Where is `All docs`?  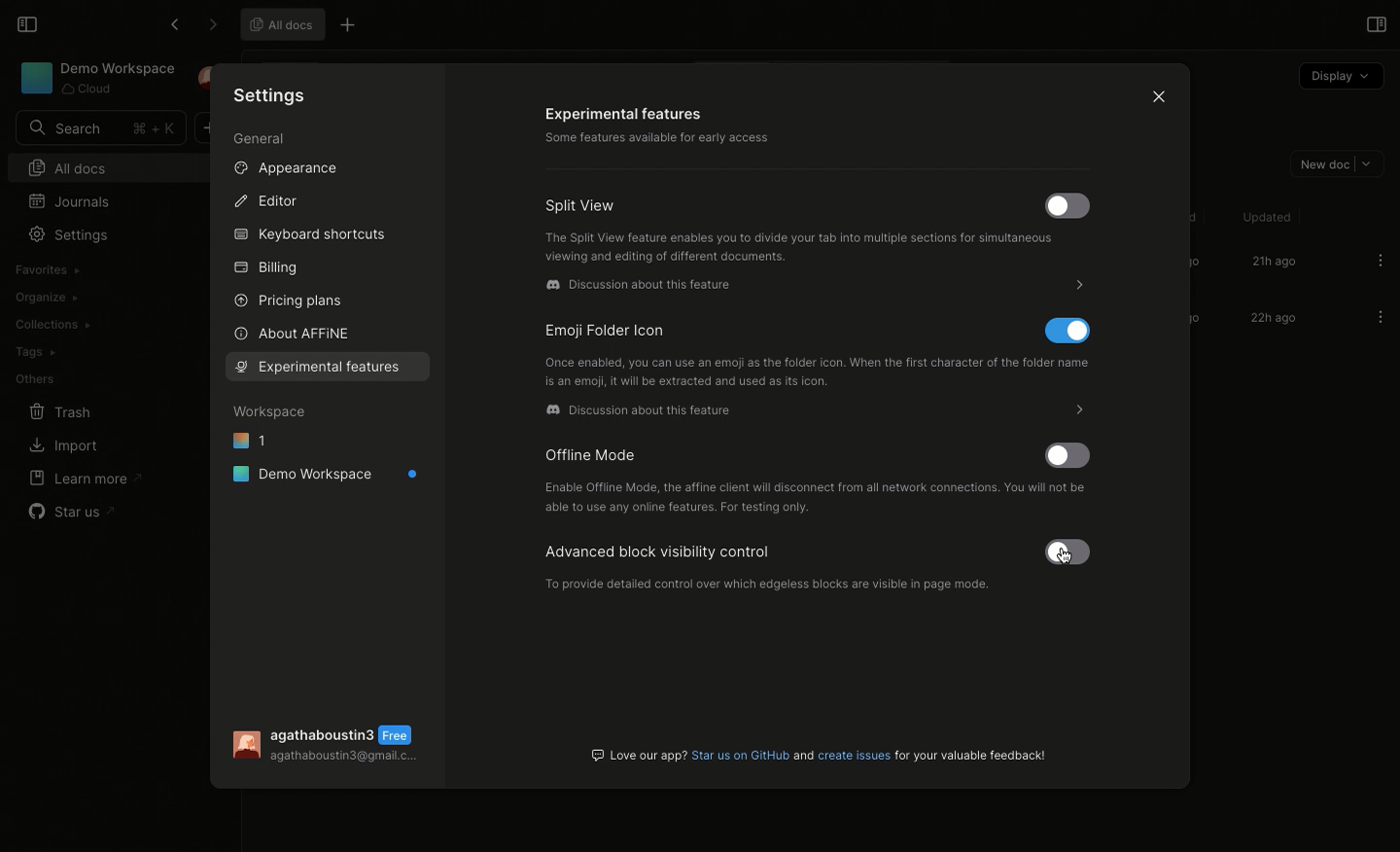 All docs is located at coordinates (279, 23).